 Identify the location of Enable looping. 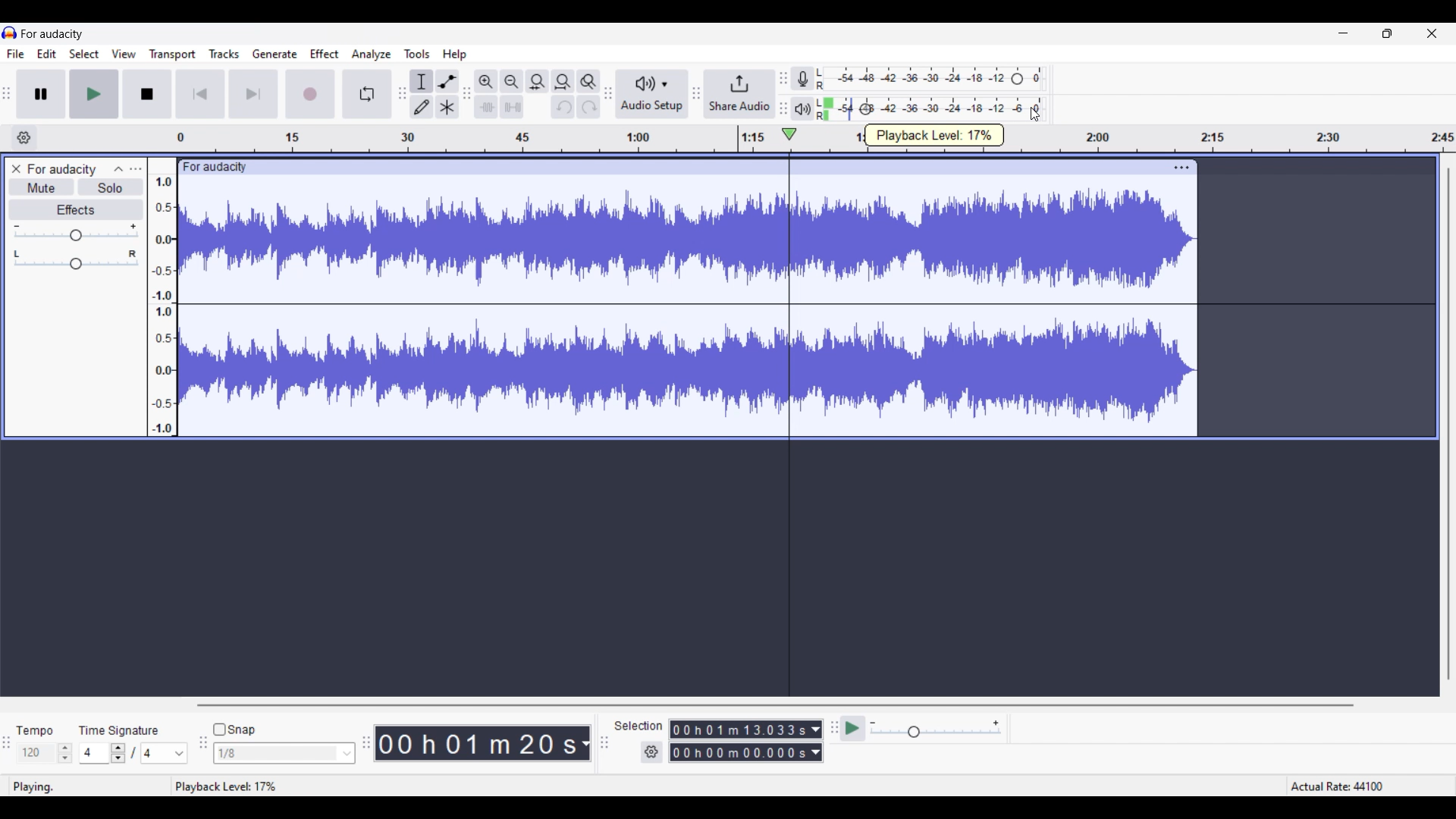
(367, 94).